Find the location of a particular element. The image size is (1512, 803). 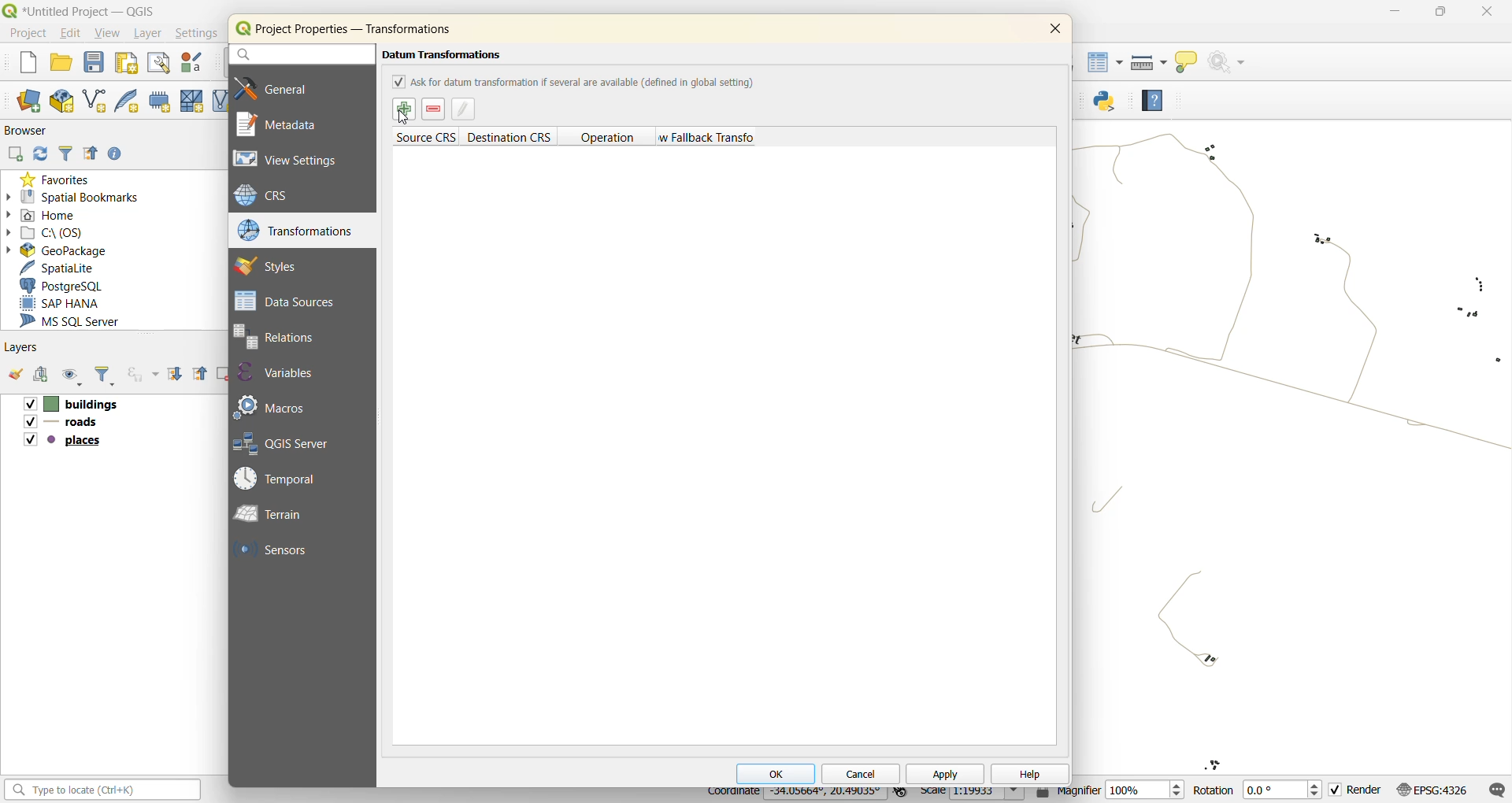

manage map is located at coordinates (72, 376).